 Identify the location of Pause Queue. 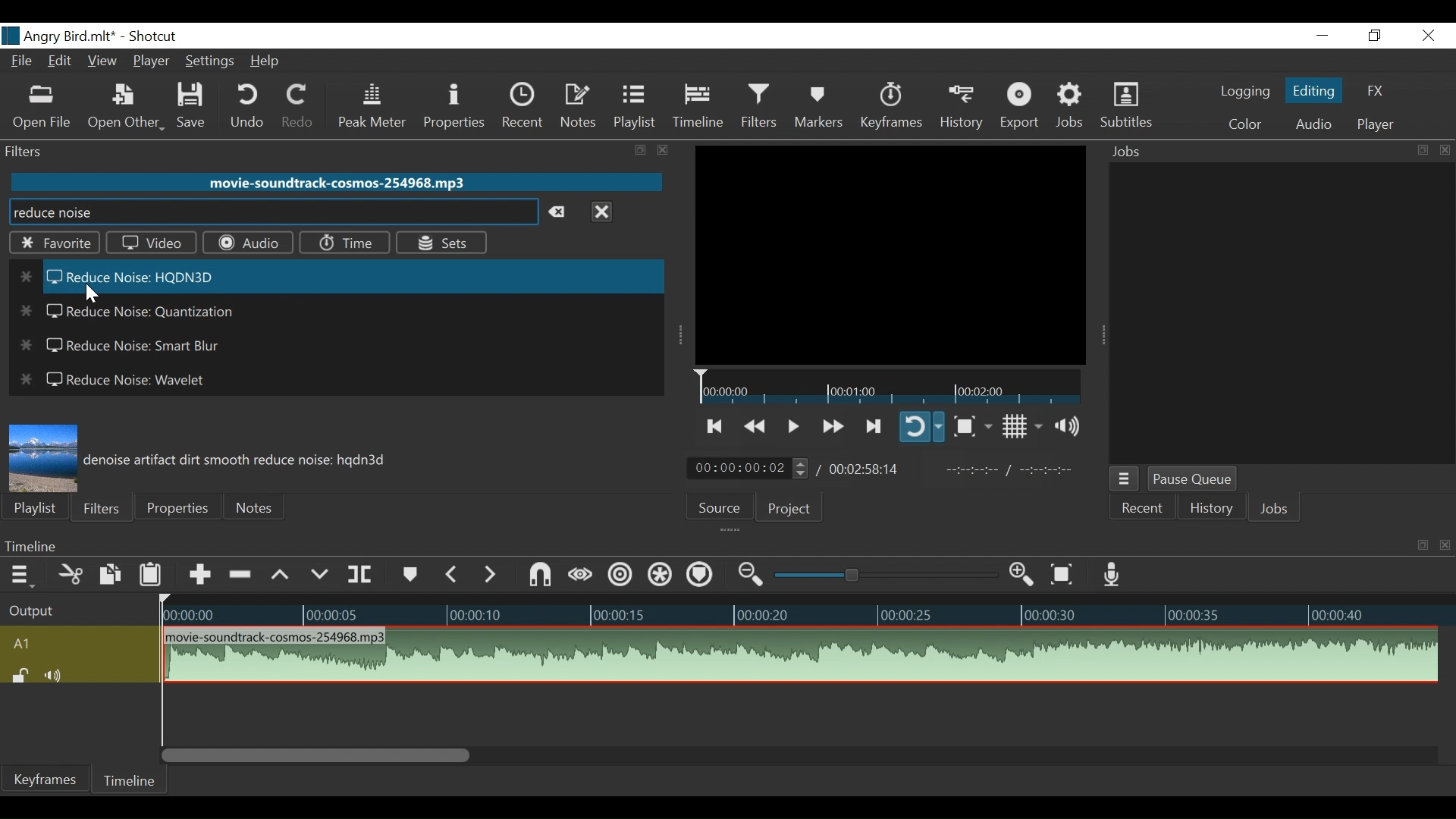
(1193, 479).